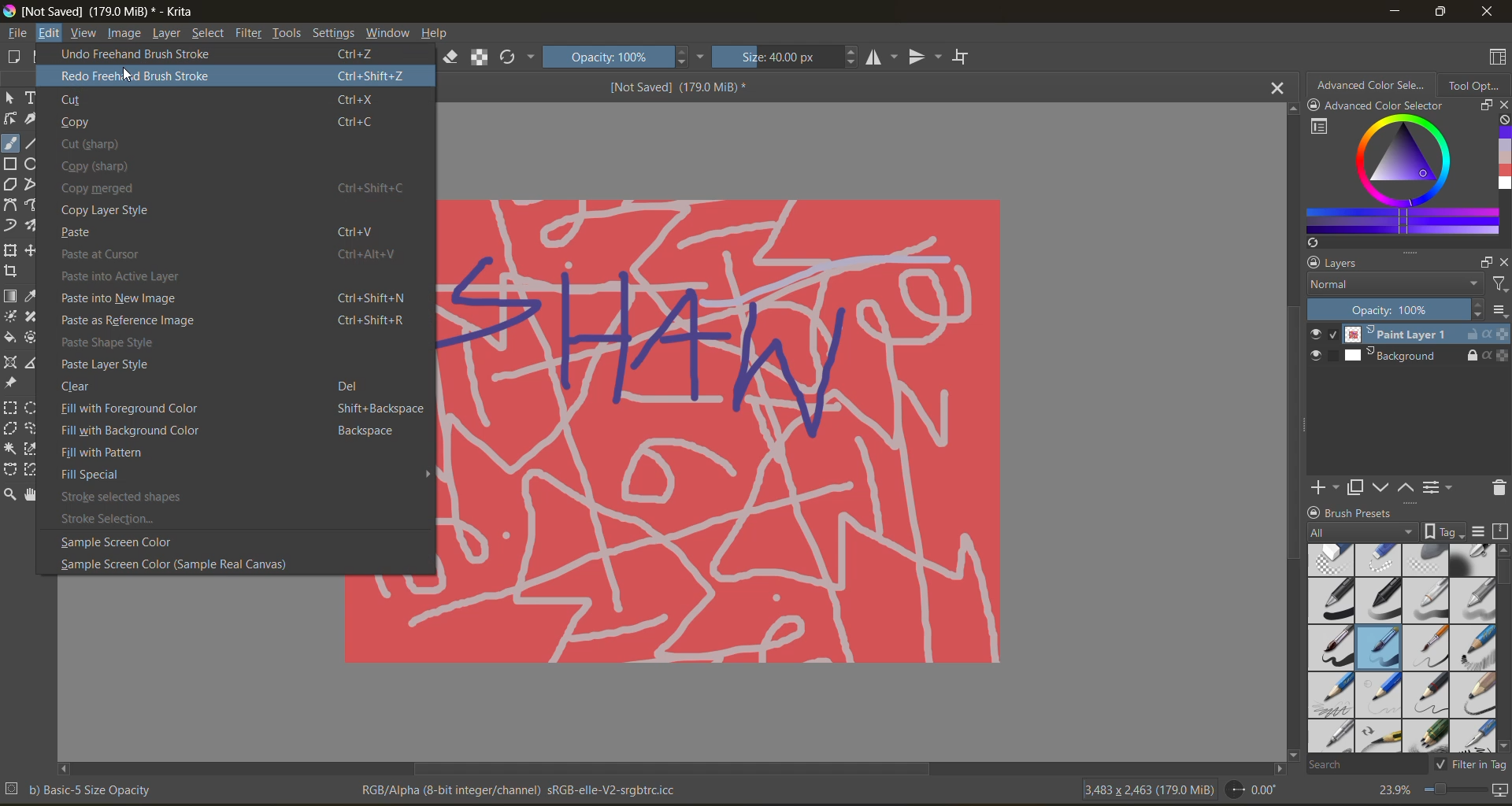  What do you see at coordinates (1483, 261) in the screenshot?
I see `float docker` at bounding box center [1483, 261].